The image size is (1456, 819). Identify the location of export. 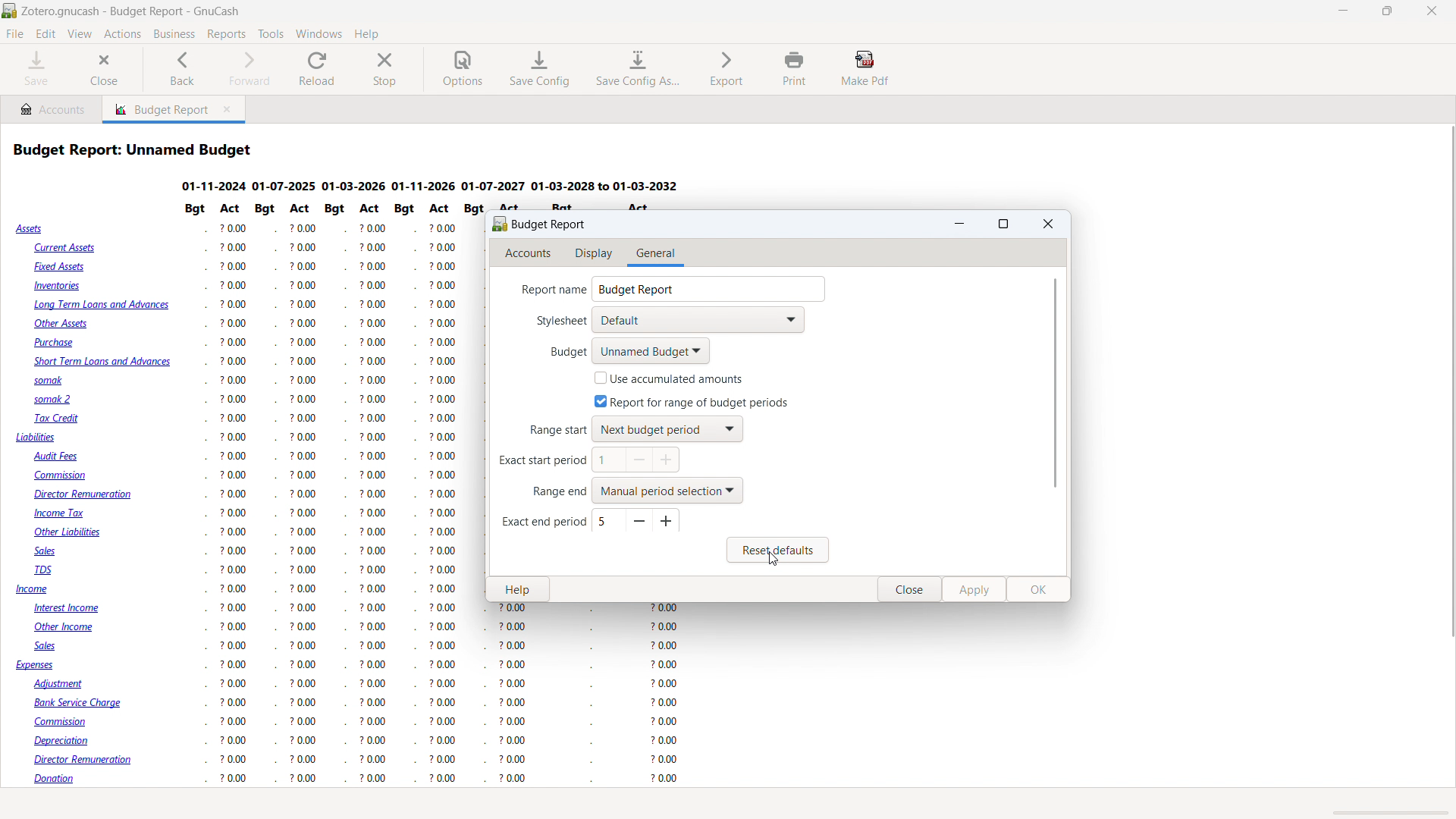
(727, 67).